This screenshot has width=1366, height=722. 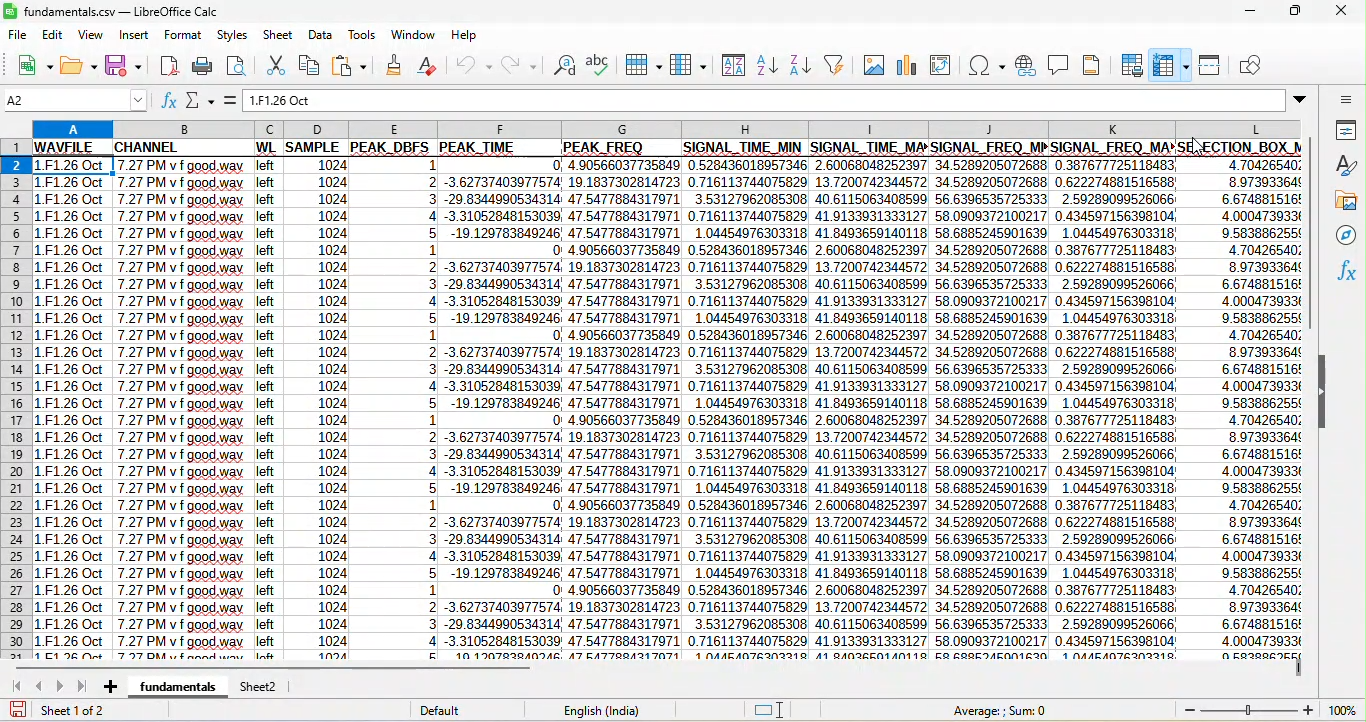 I want to click on cell ranges, so click(x=670, y=410).